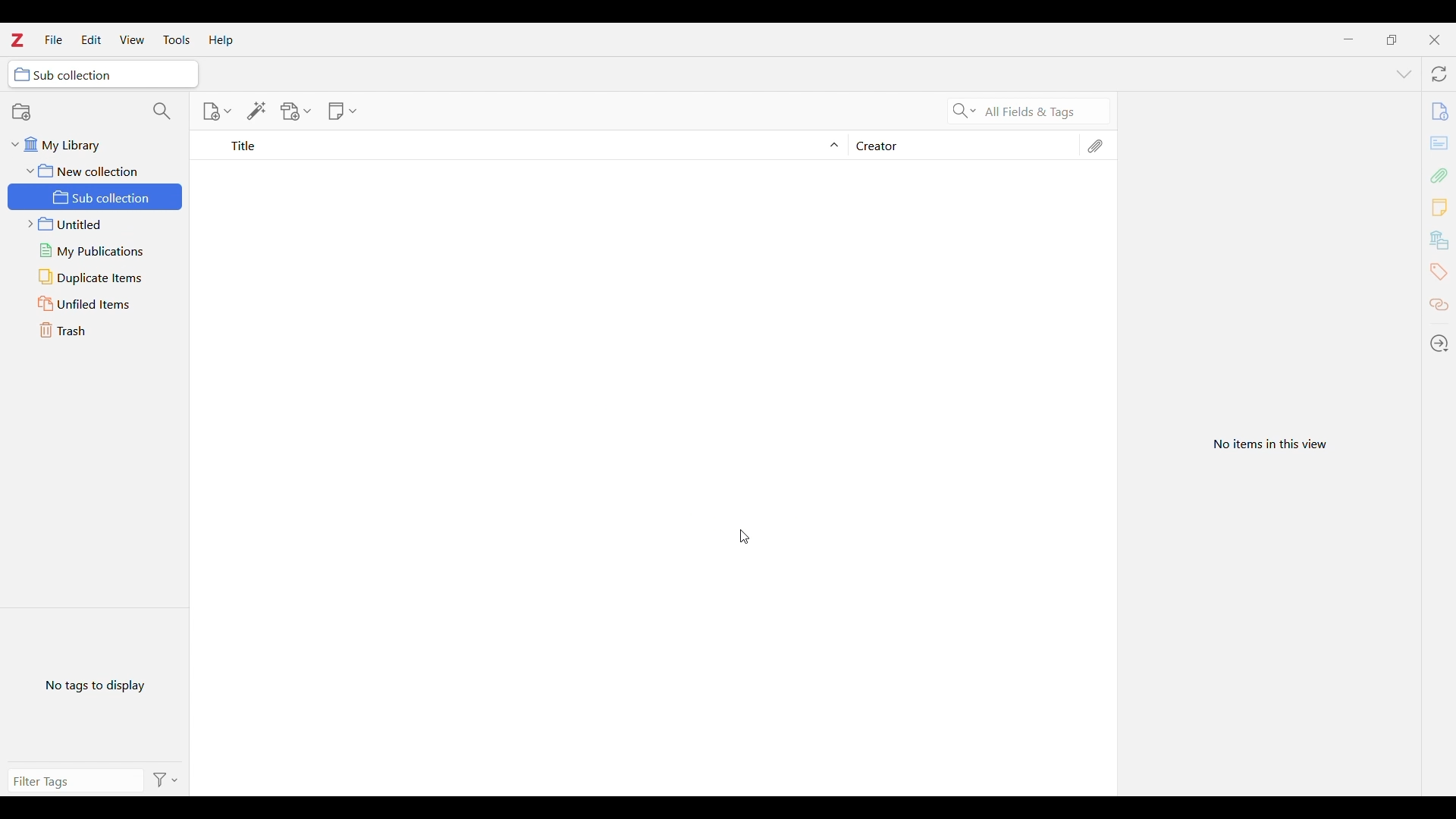 Image resolution: width=1456 pixels, height=819 pixels. What do you see at coordinates (257, 111) in the screenshot?
I see `Add item/s by identifier` at bounding box center [257, 111].